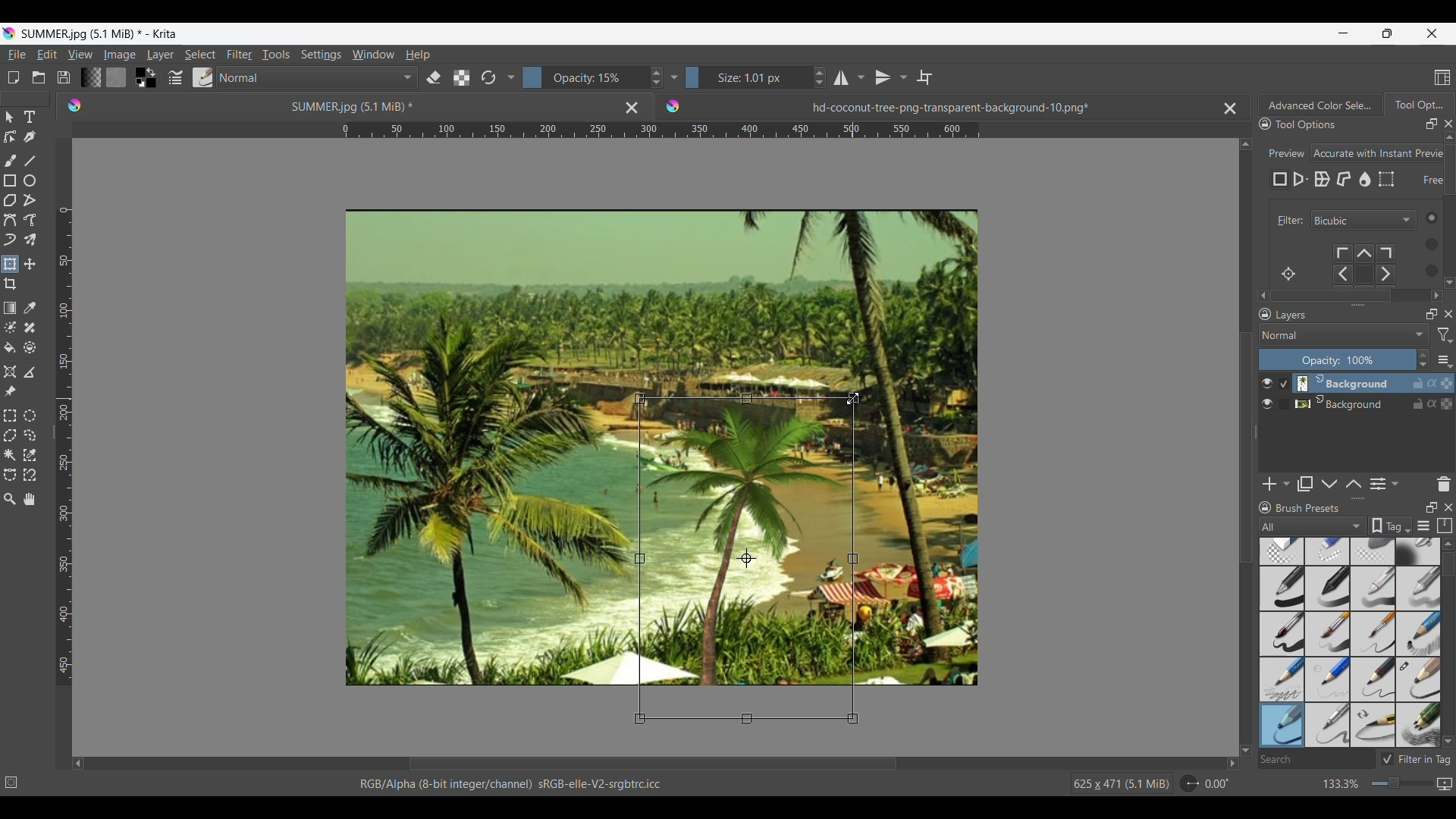  I want to click on Fill gradients, so click(90, 77).